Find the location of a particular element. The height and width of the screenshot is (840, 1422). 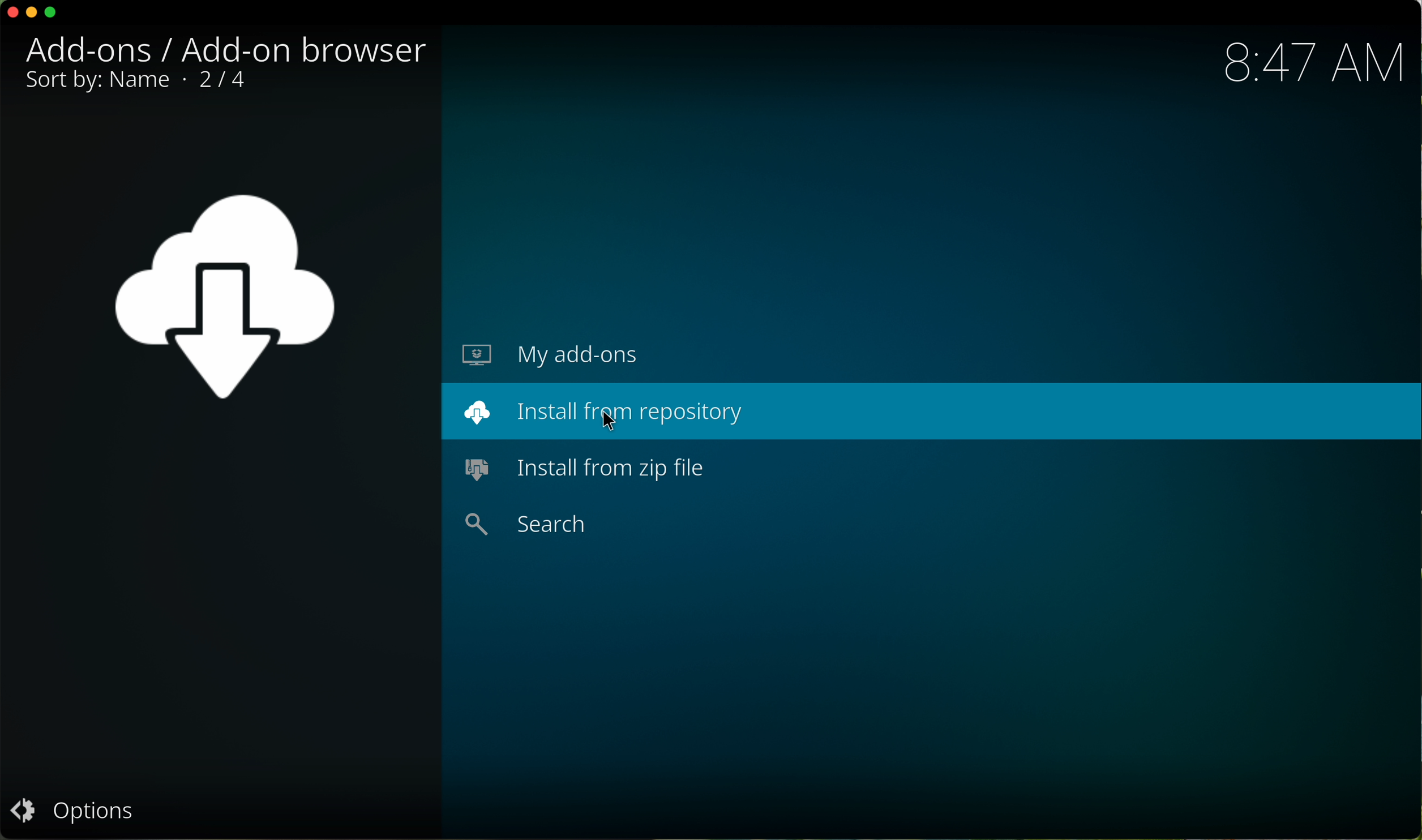

add-ons icon is located at coordinates (221, 298).